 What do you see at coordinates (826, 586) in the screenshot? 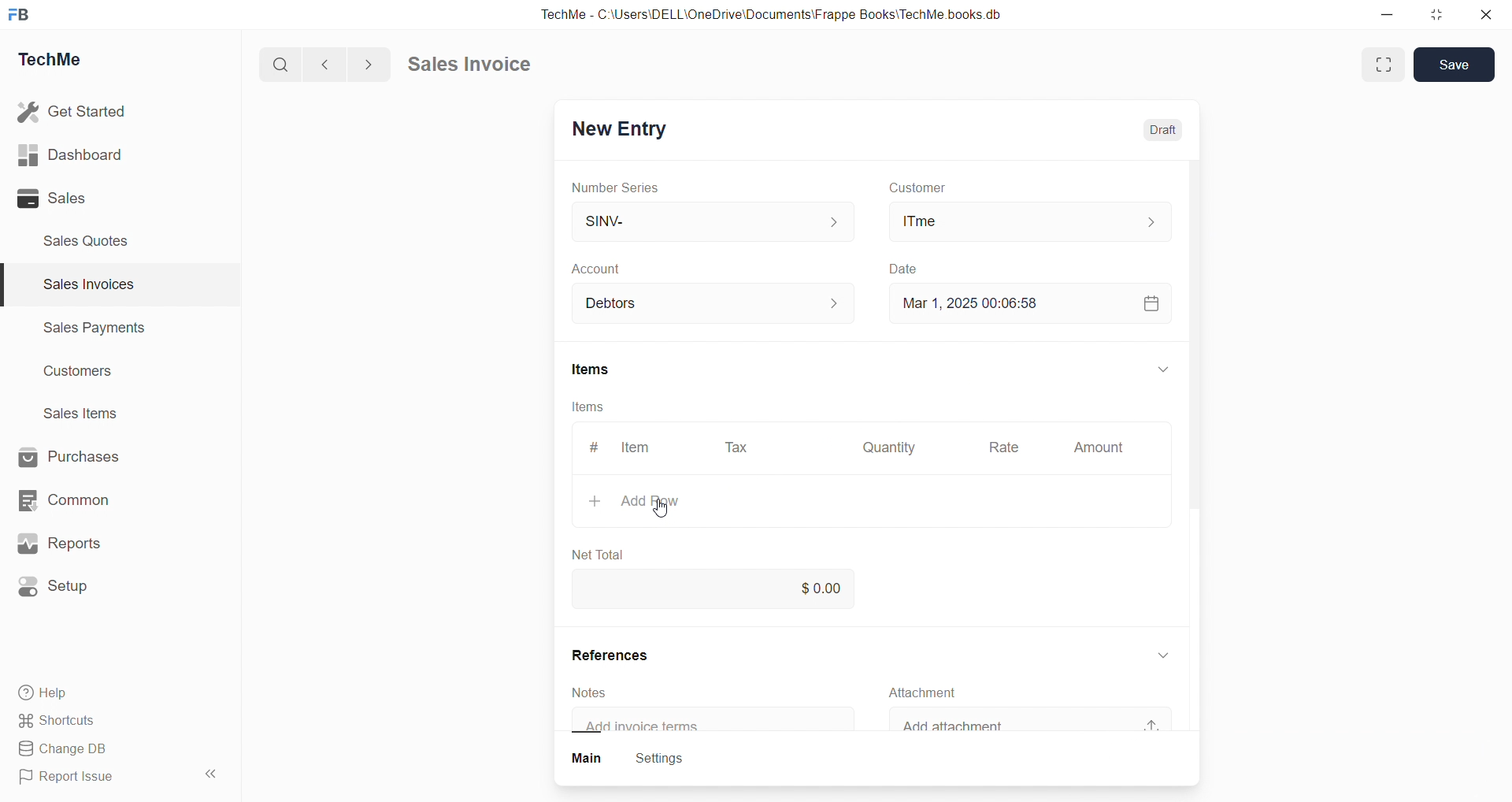
I see `$0.00` at bounding box center [826, 586].